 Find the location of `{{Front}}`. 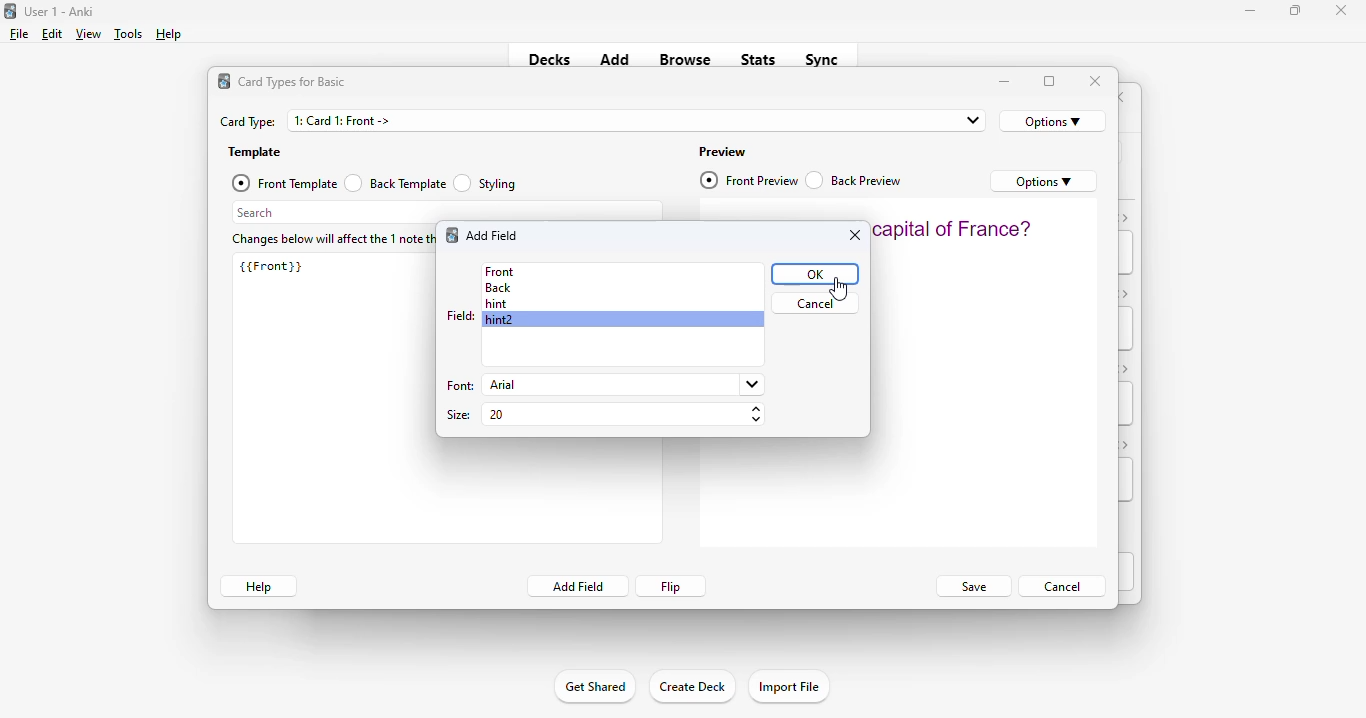

{{Front}} is located at coordinates (271, 266).